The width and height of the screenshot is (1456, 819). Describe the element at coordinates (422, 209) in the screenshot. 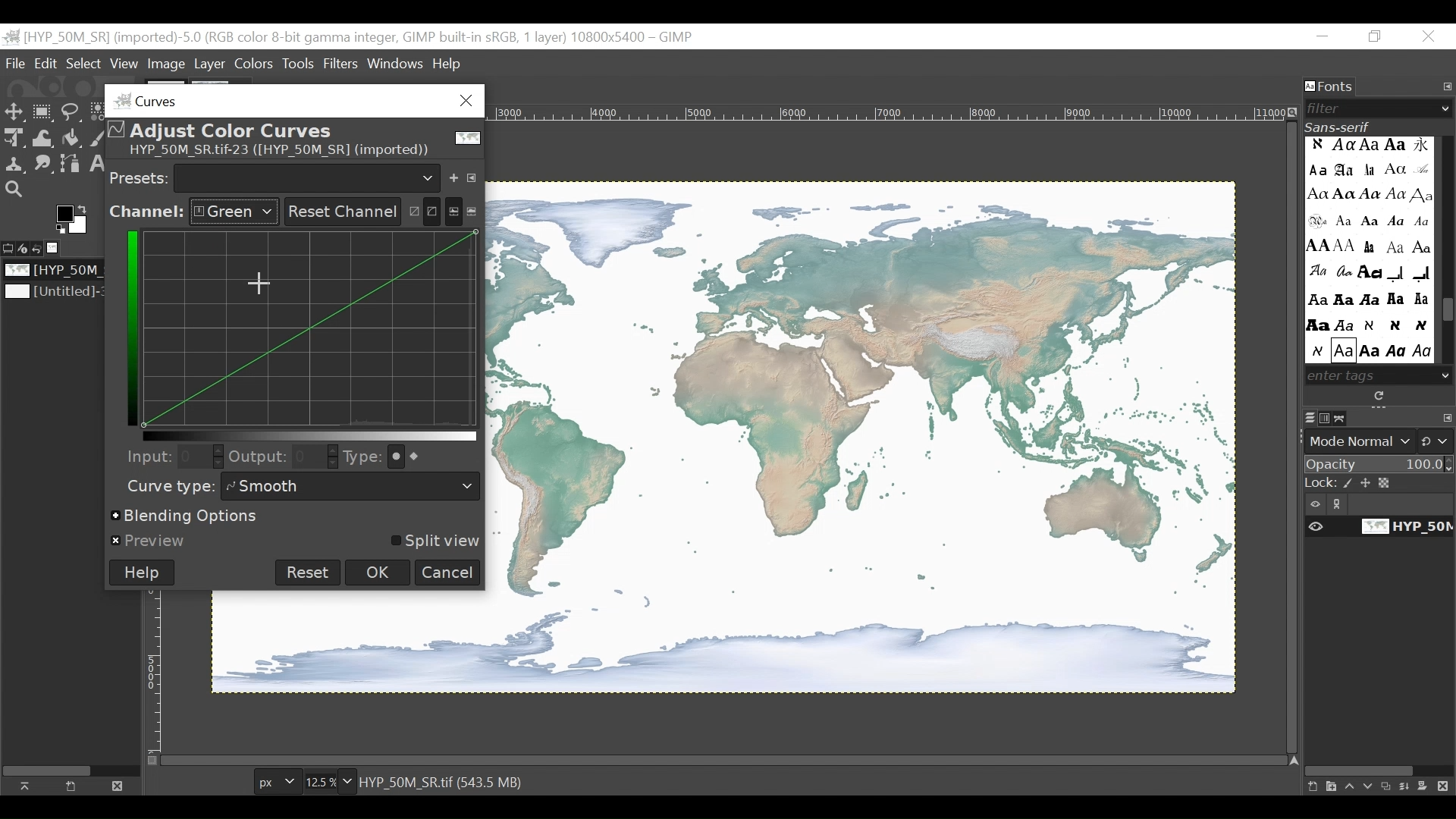

I see `Adjust curves` at that location.